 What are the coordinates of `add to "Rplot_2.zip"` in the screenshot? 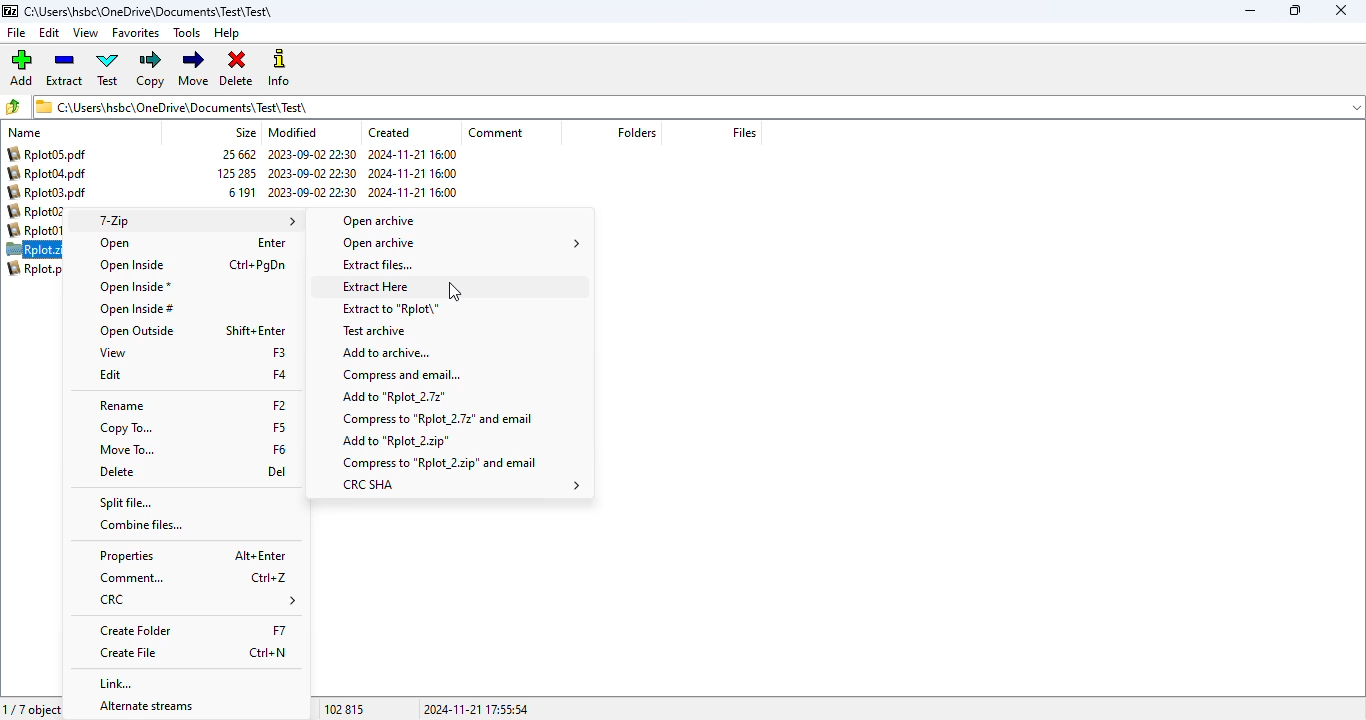 It's located at (397, 442).